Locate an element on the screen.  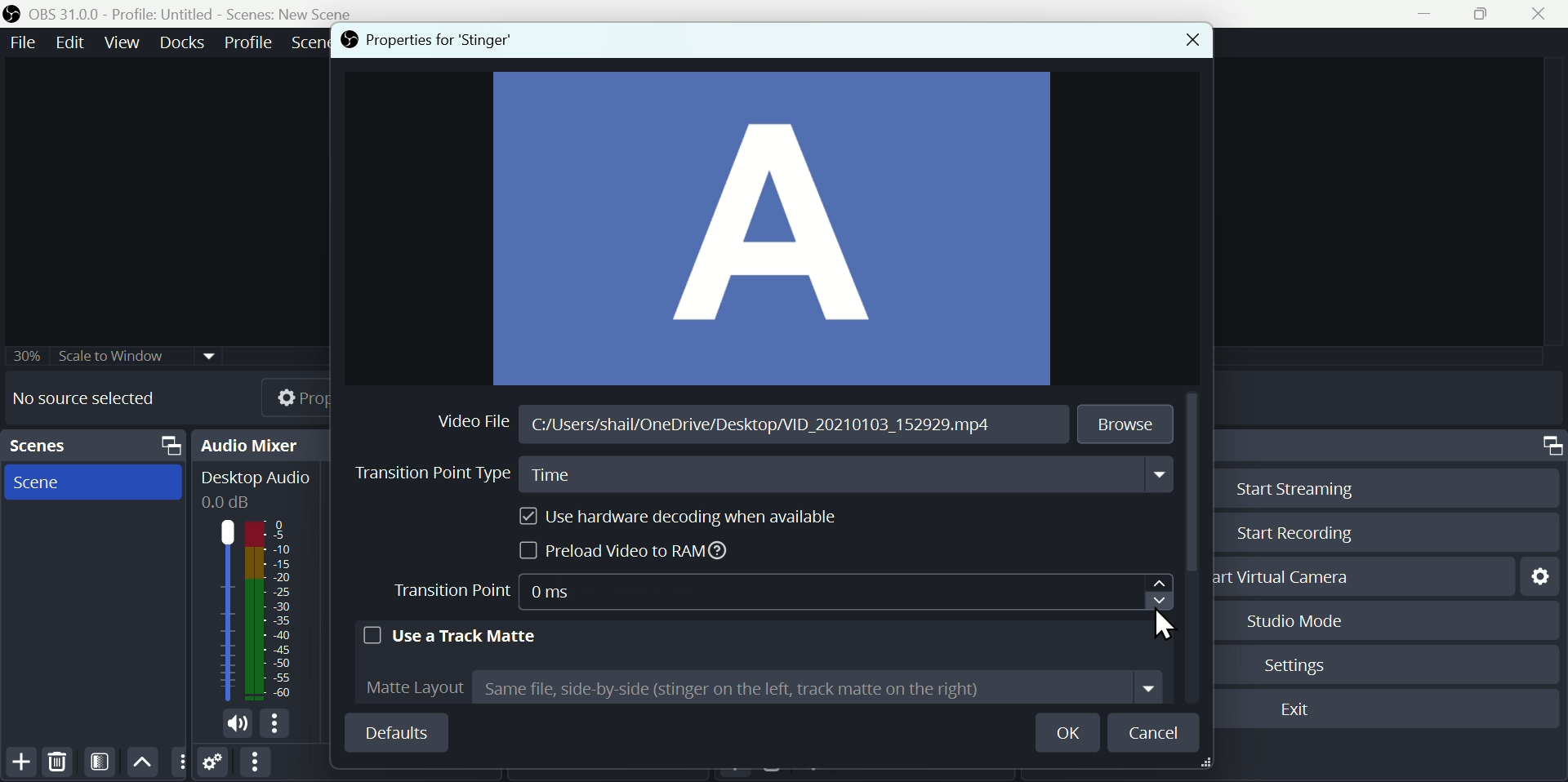
Use a track matte is located at coordinates (451, 633).